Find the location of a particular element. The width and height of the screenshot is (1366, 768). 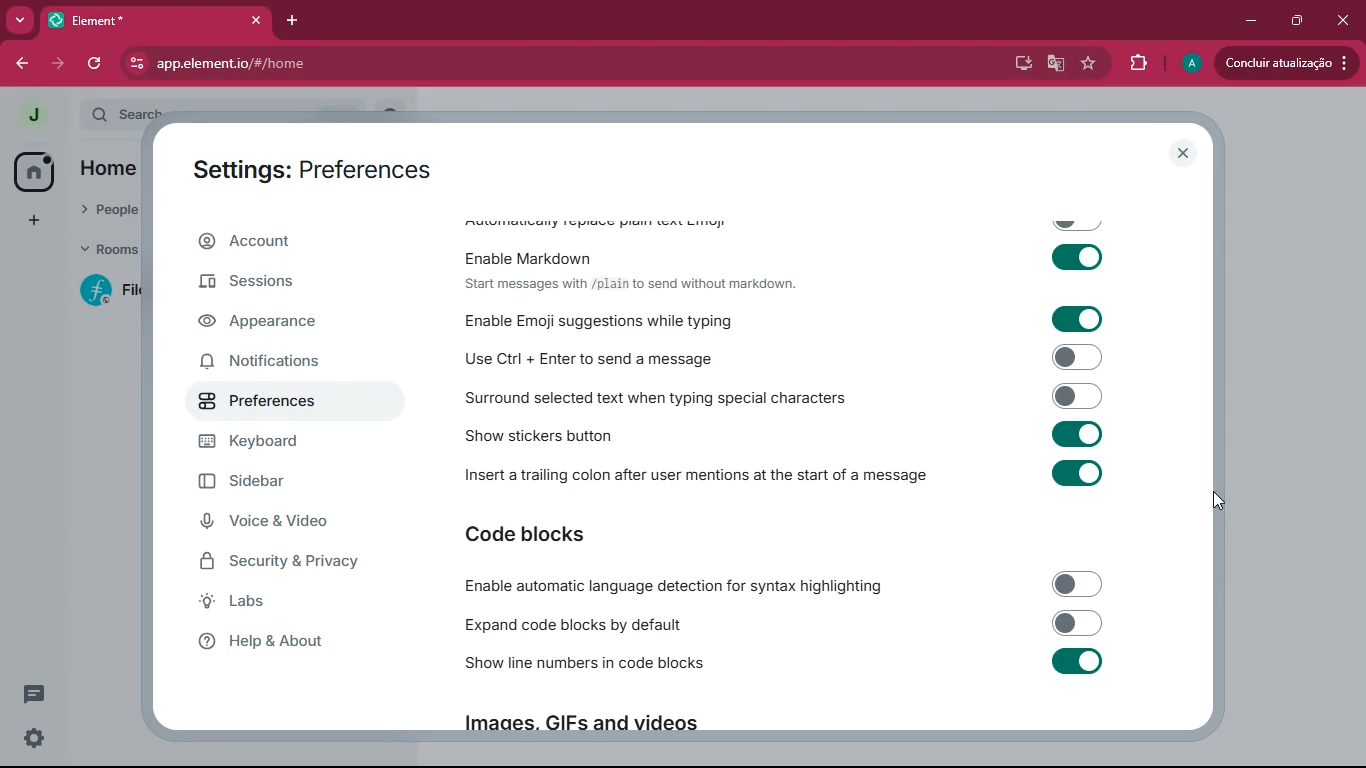

sessions is located at coordinates (282, 284).